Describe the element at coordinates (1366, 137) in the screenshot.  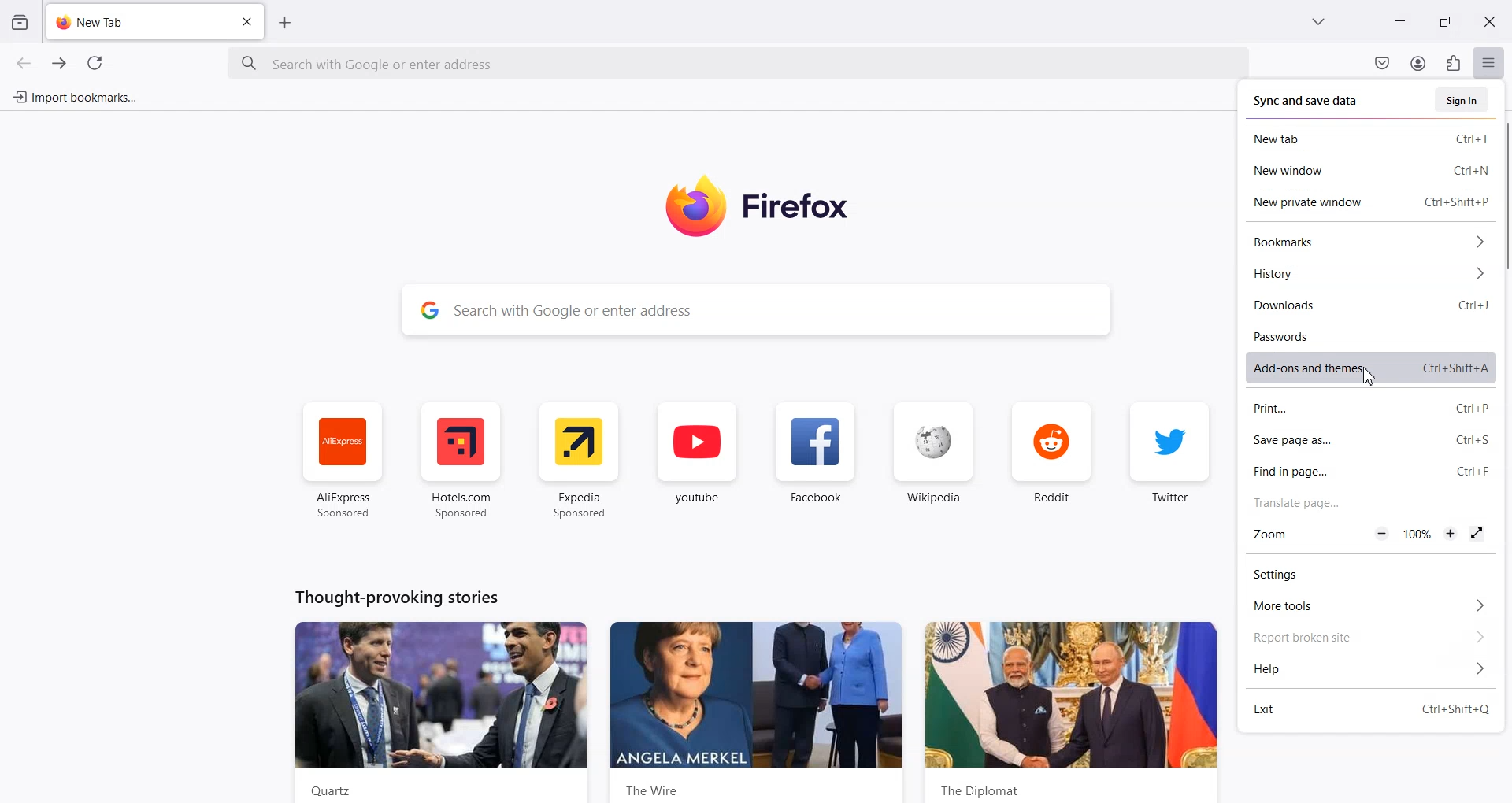
I see `New tab` at that location.